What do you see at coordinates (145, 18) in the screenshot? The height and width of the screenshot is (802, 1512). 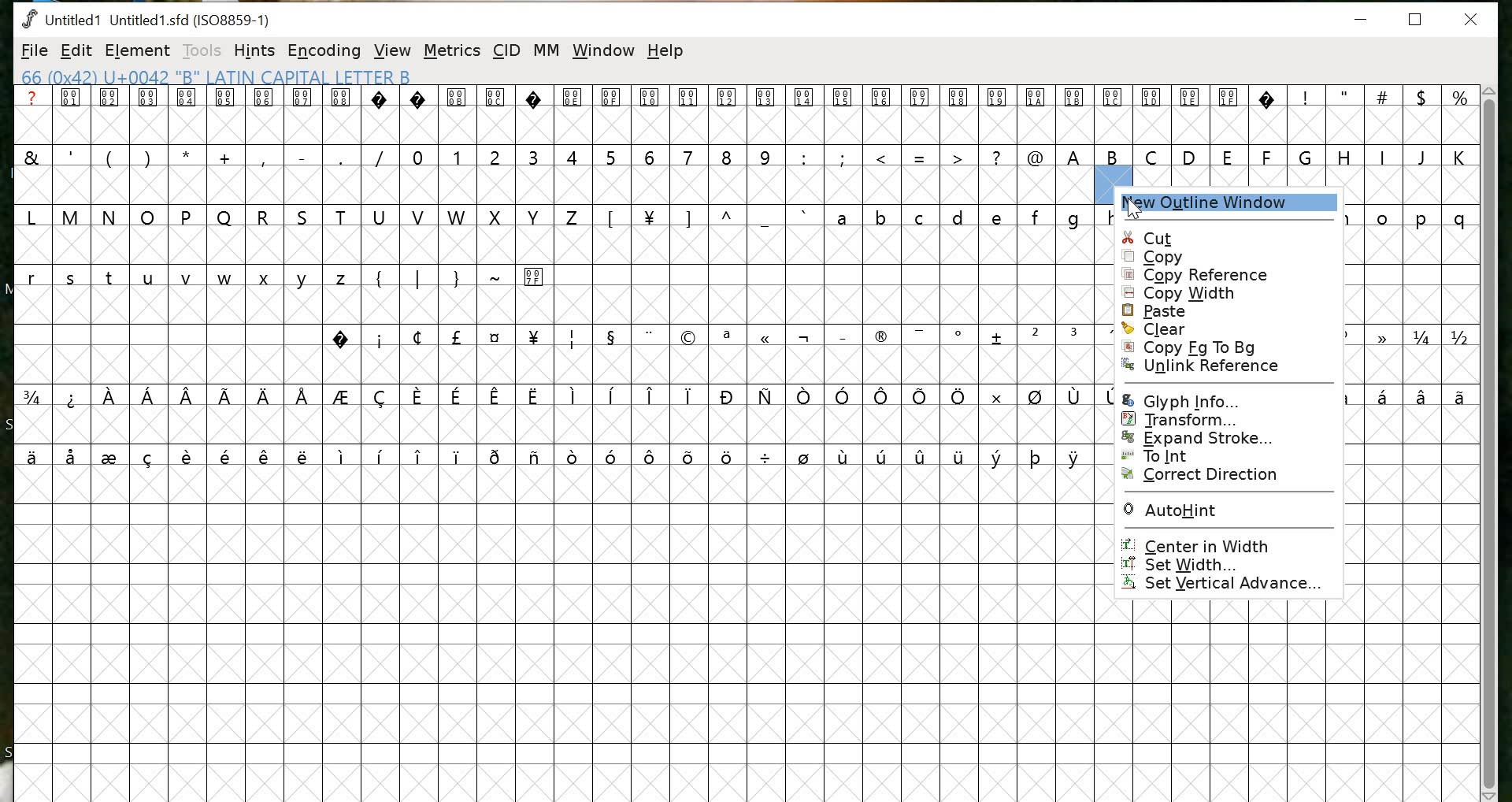 I see `Untitled1 Untitled 1.sfd (1IS08859-1)` at bounding box center [145, 18].